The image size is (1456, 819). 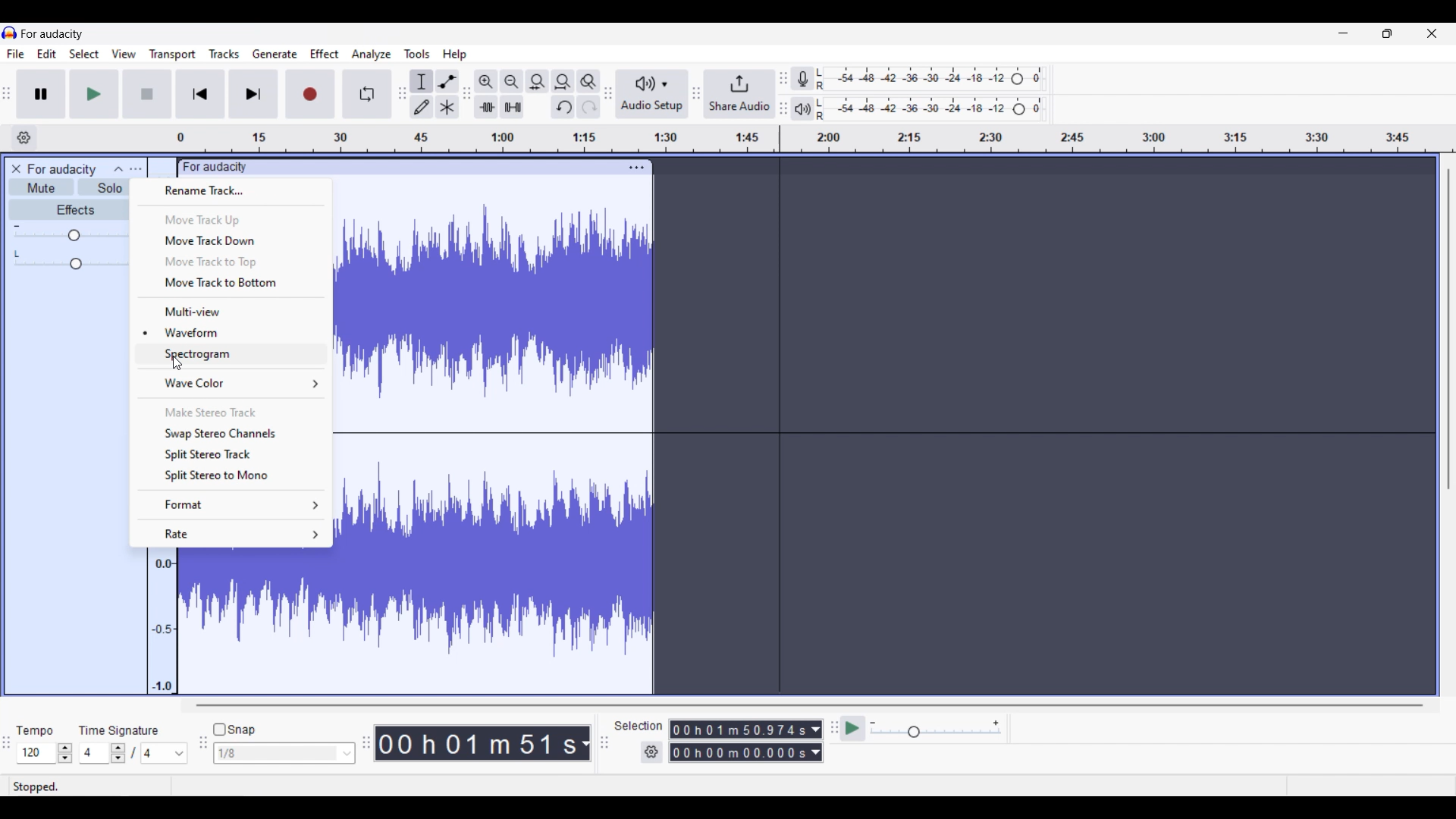 What do you see at coordinates (512, 81) in the screenshot?
I see `Zoom out` at bounding box center [512, 81].